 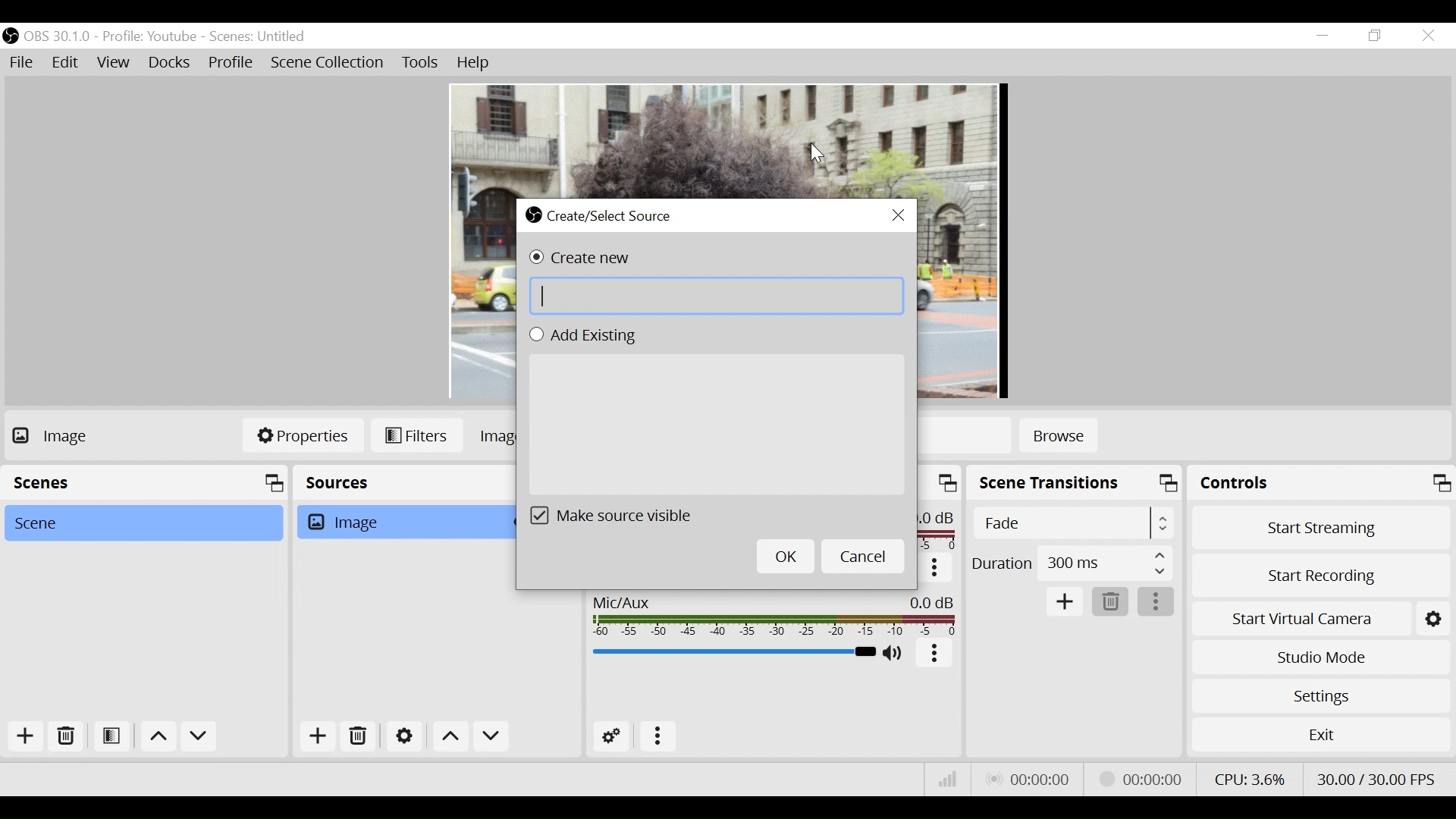 What do you see at coordinates (149, 37) in the screenshot?
I see `Profile` at bounding box center [149, 37].